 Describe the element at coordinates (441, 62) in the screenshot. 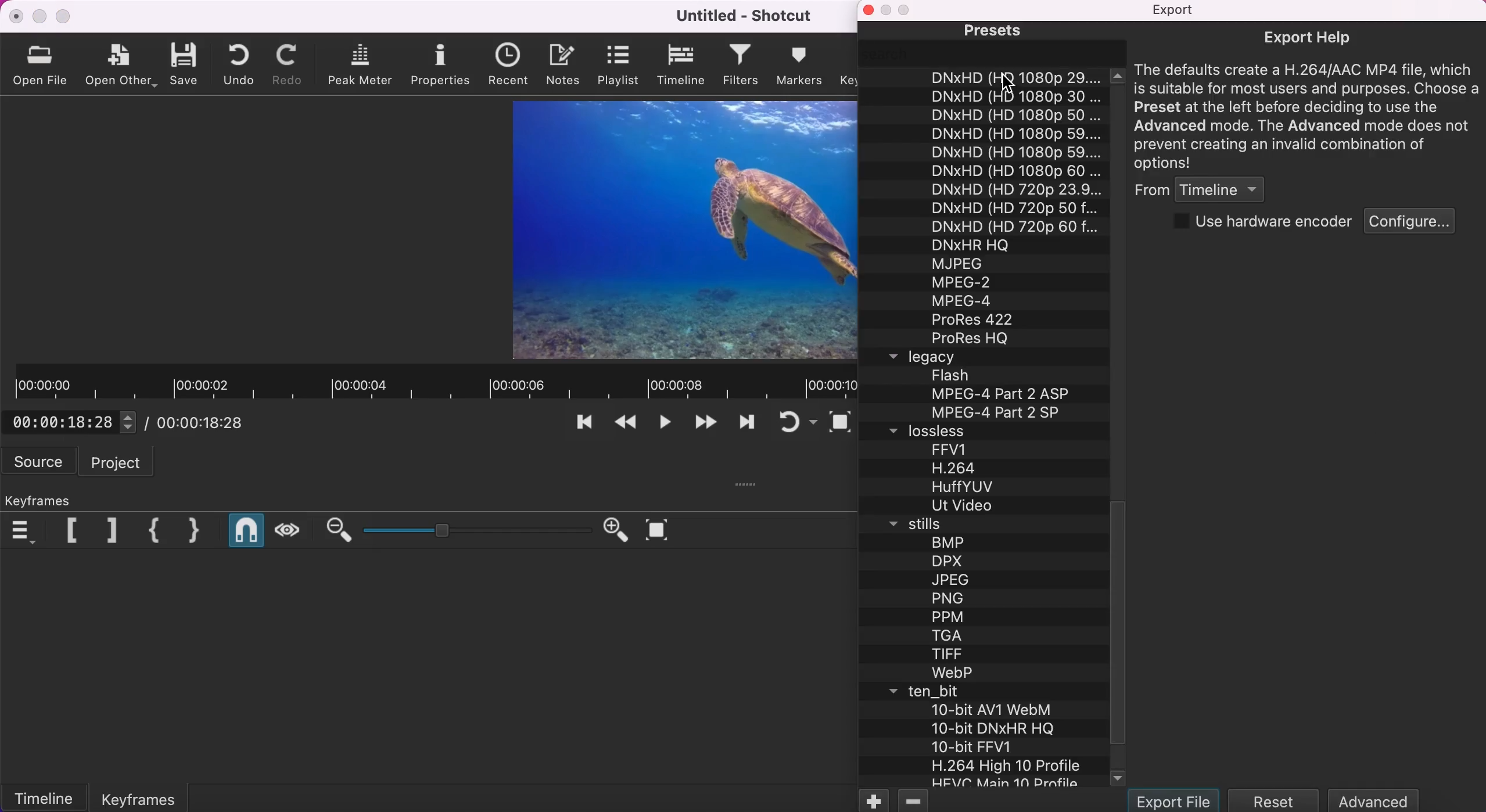

I see `properties` at that location.